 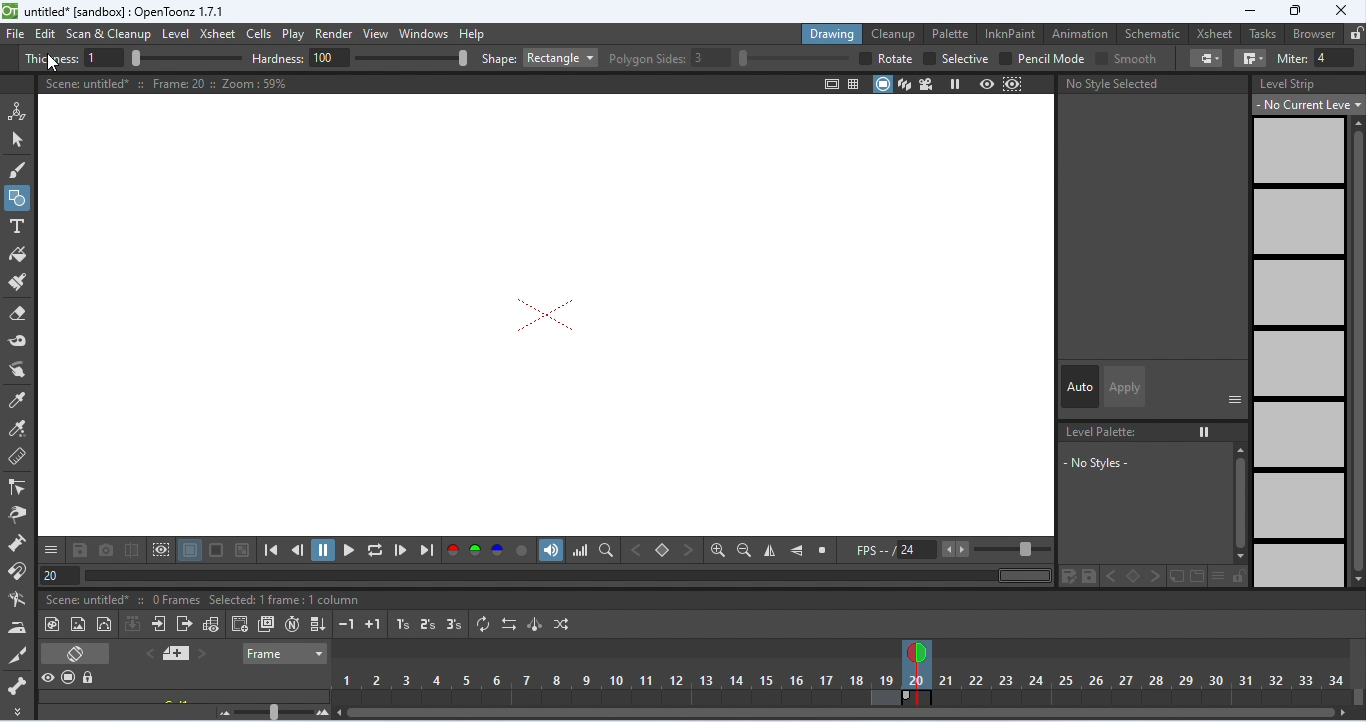 I want to click on cutter, so click(x=16, y=655).